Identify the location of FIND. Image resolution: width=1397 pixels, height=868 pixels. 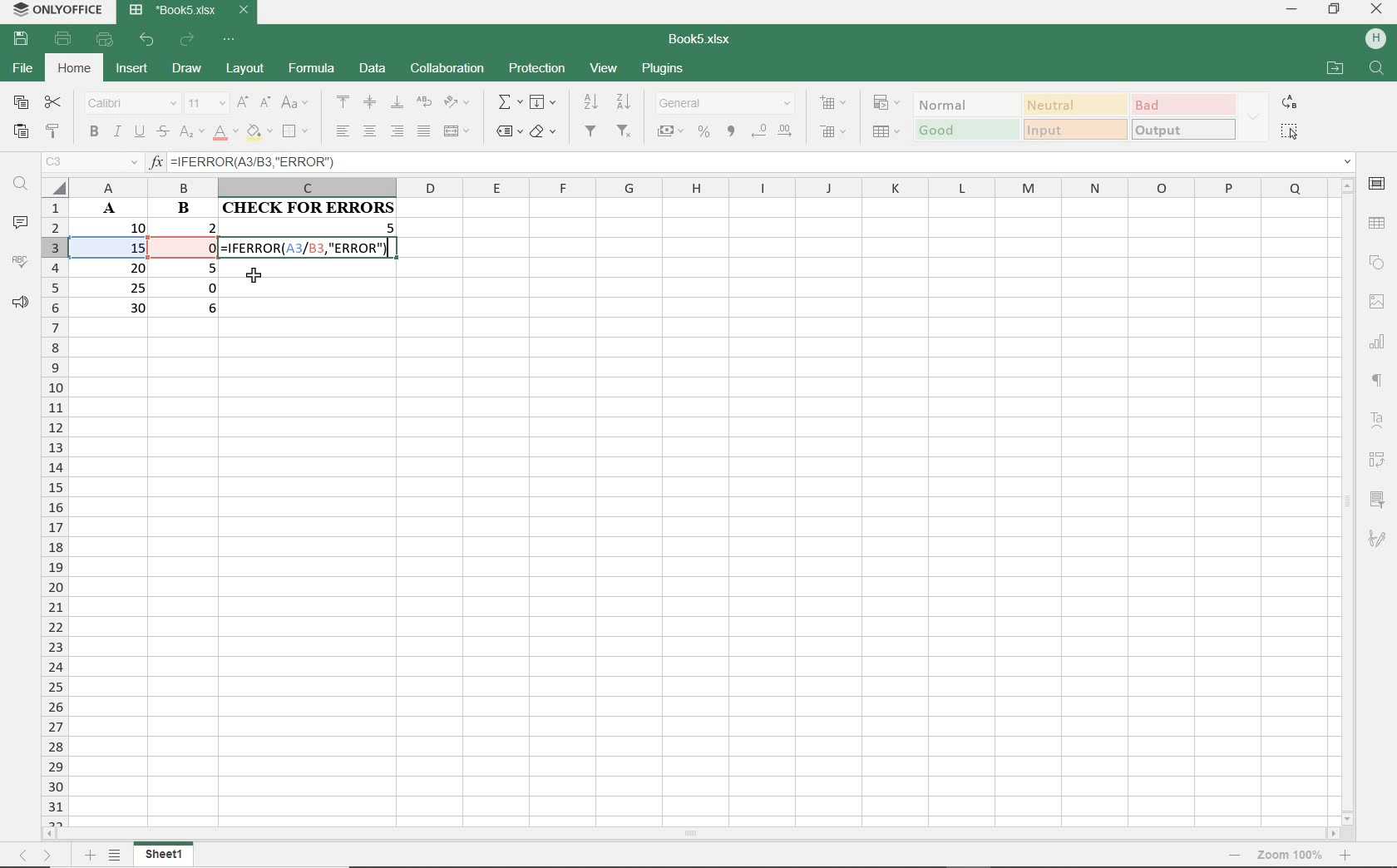
(20, 187).